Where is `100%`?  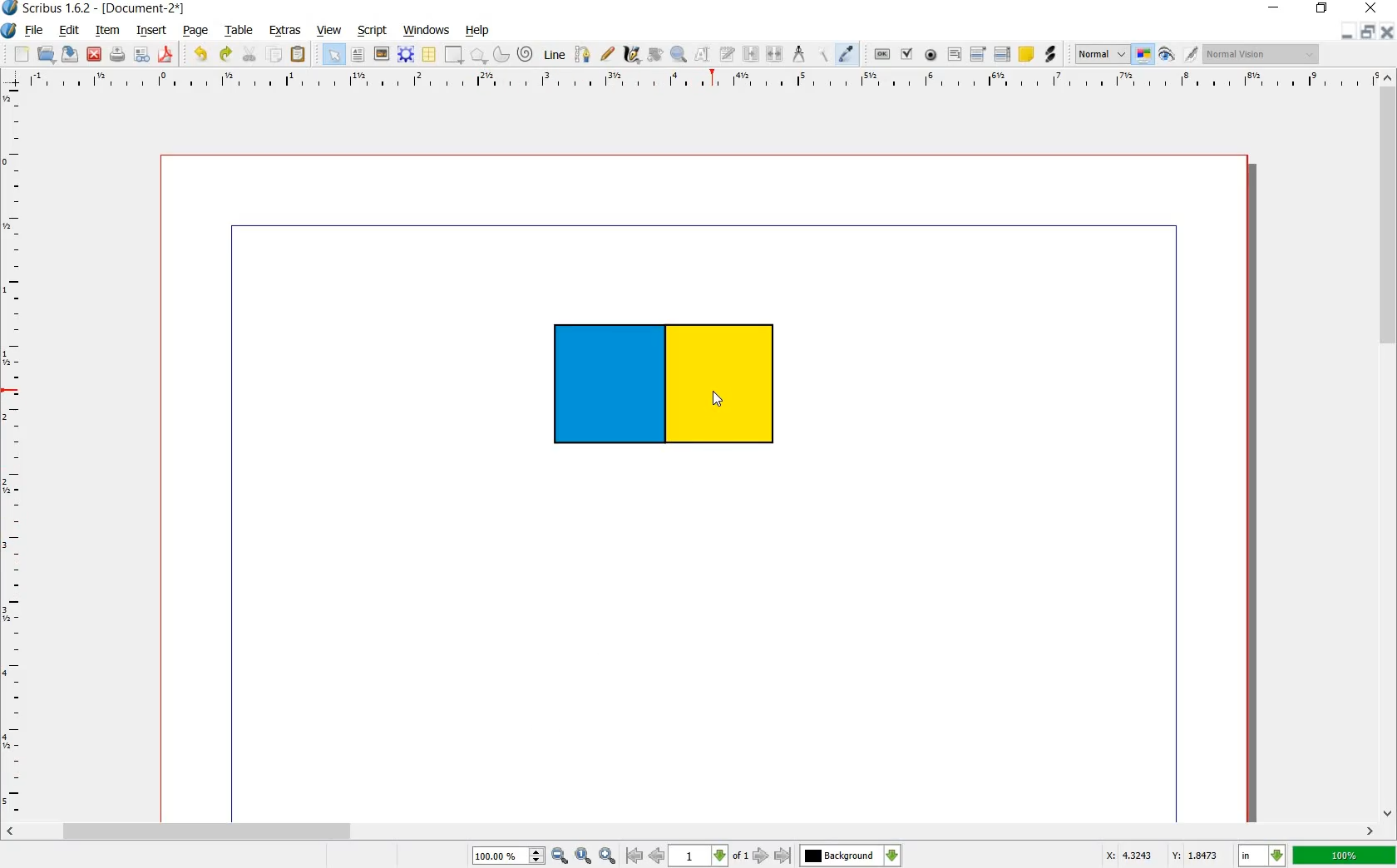 100% is located at coordinates (1345, 856).